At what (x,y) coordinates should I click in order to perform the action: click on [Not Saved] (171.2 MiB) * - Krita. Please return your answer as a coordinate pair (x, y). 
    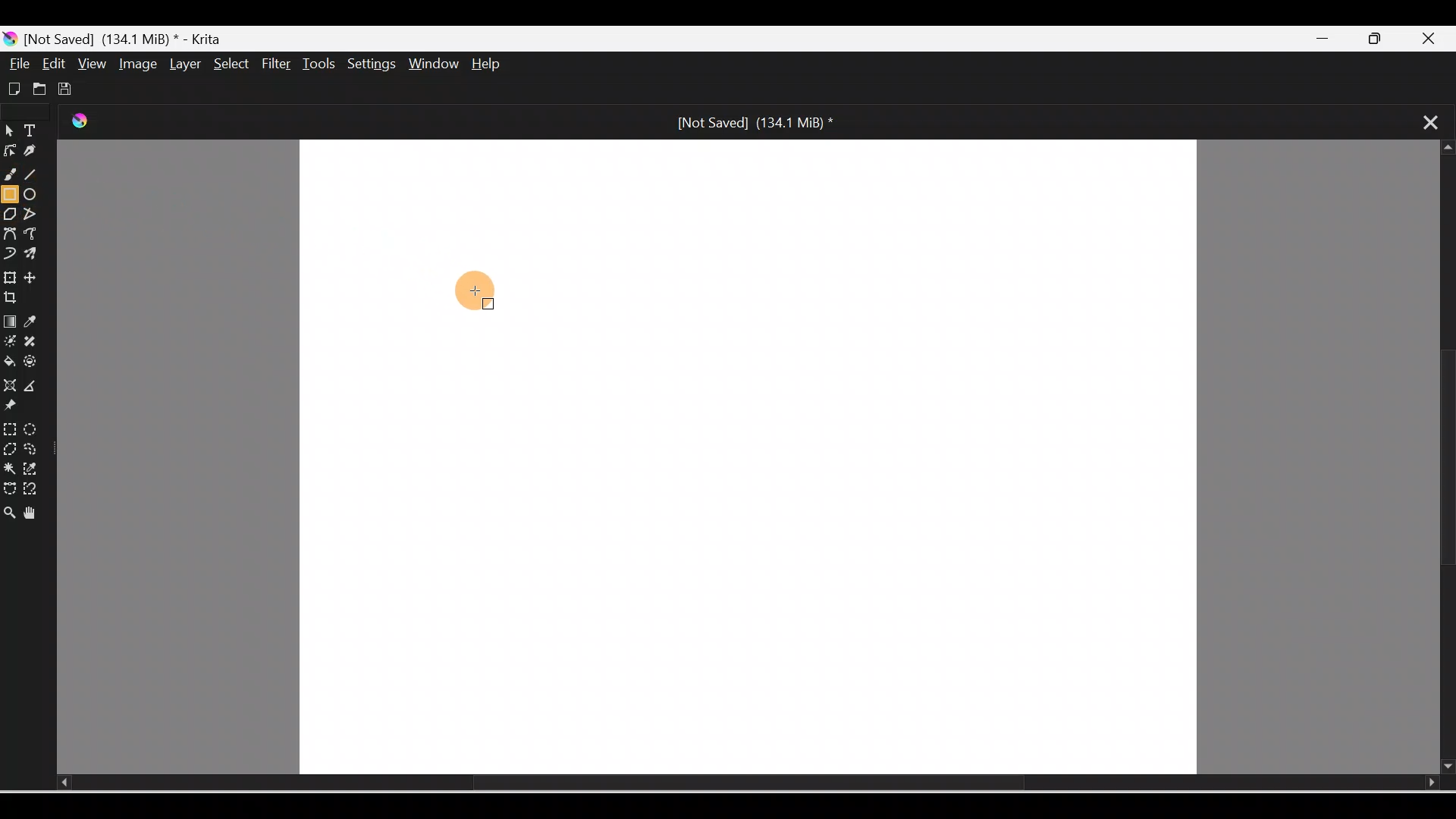
    Looking at the image, I should click on (121, 37).